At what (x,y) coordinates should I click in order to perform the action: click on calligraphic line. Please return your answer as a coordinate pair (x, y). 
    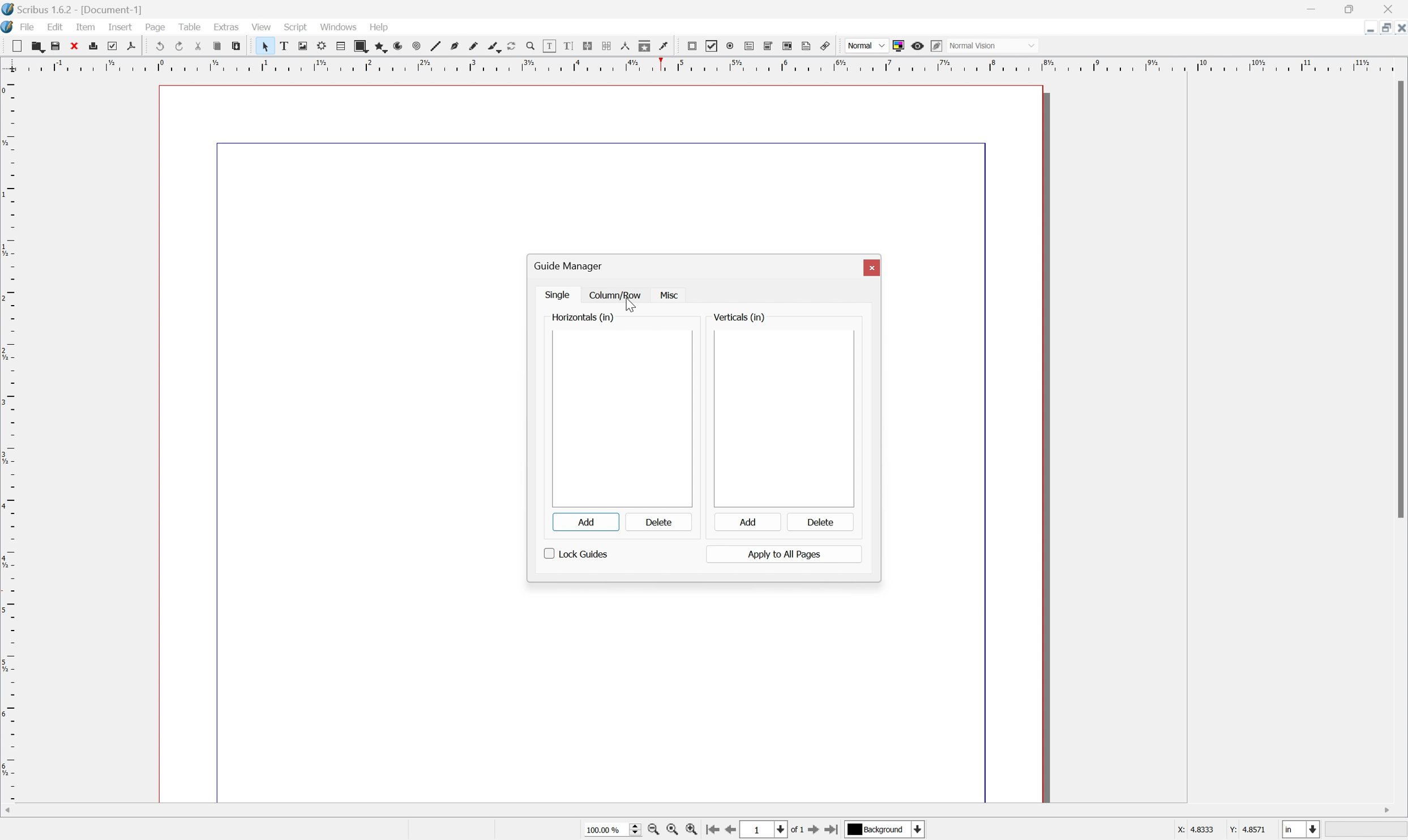
    Looking at the image, I should click on (493, 45).